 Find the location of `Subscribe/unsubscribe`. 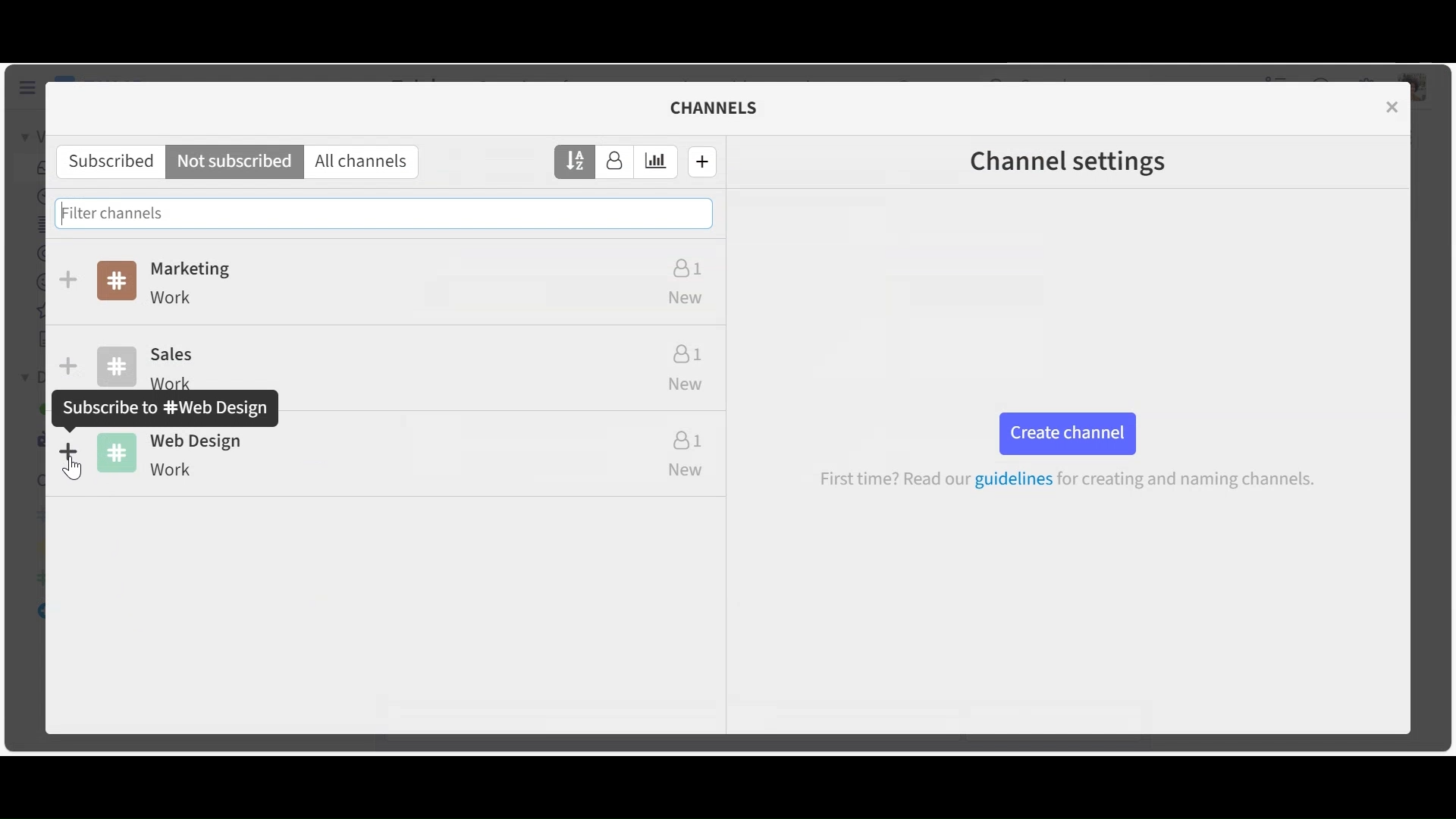

Subscribe/unsubscribe is located at coordinates (70, 278).